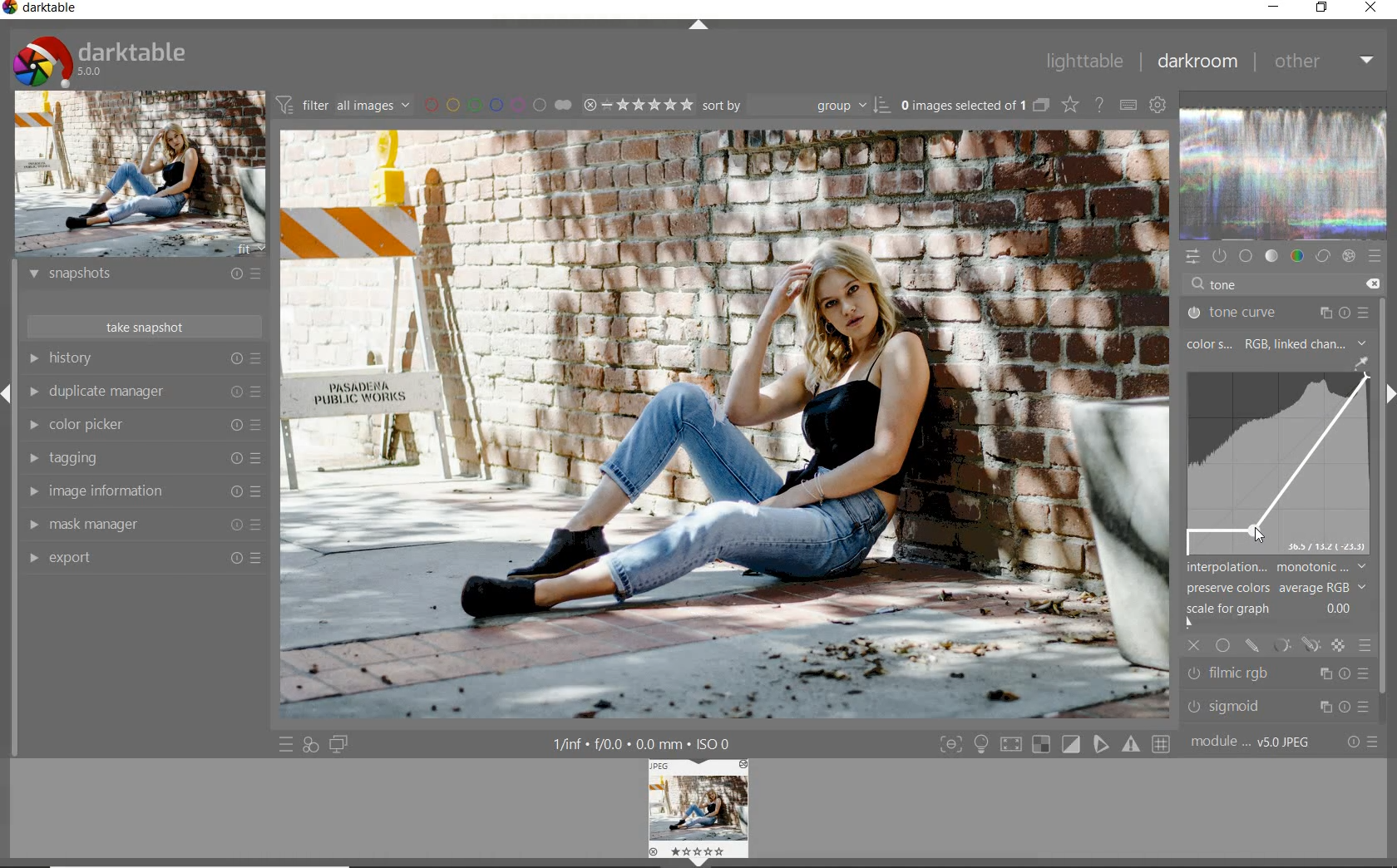  I want to click on other display information, so click(644, 743).